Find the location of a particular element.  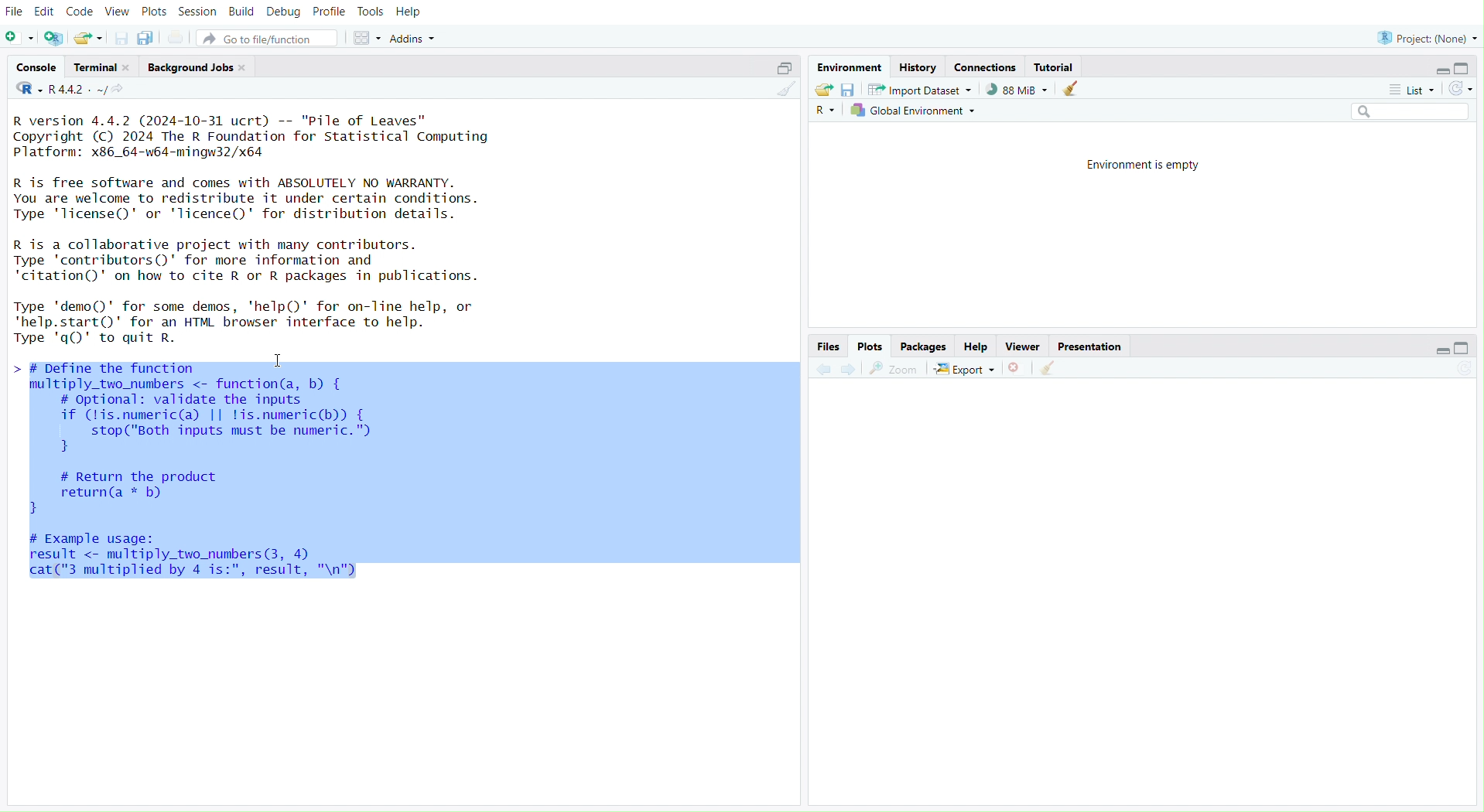

Open an existing file (Ctrl + O) is located at coordinates (87, 38).